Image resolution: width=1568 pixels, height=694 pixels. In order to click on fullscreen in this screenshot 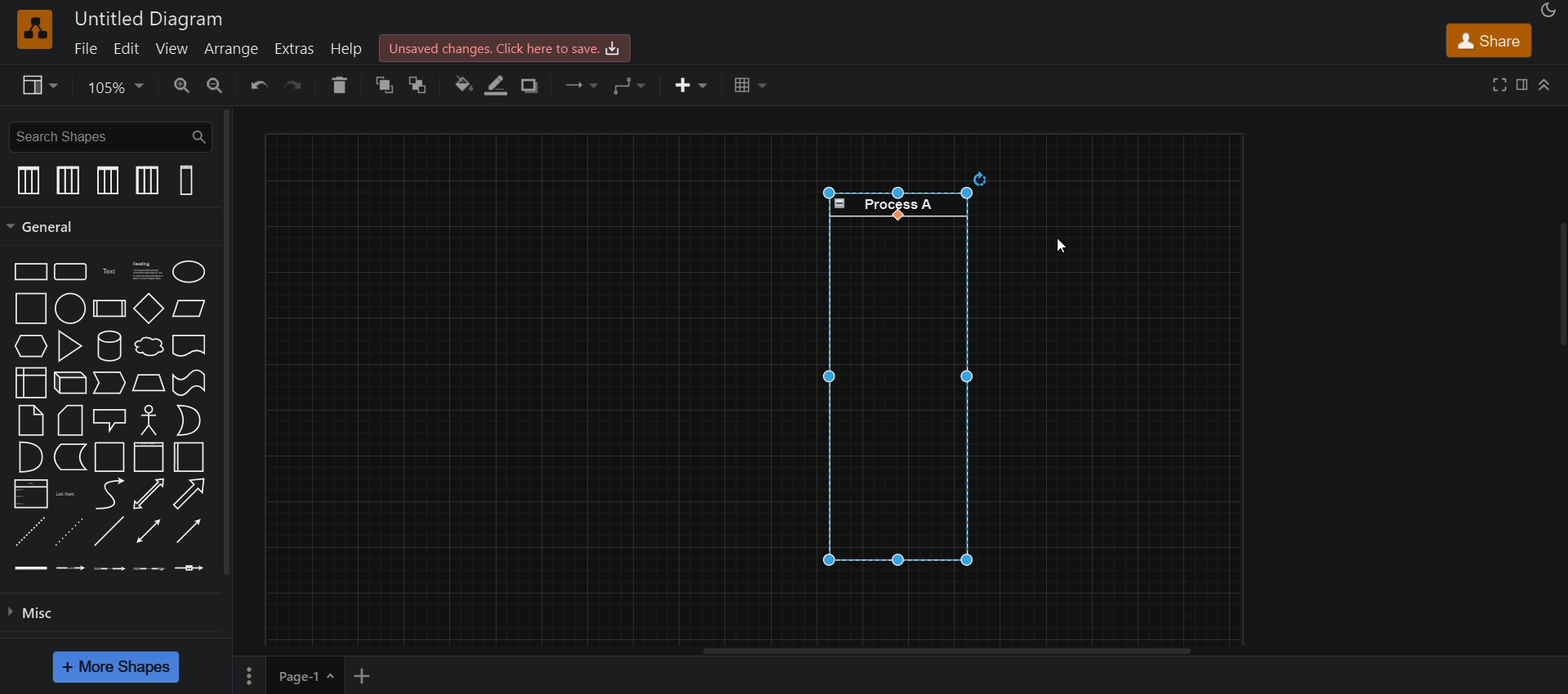, I will do `click(1501, 84)`.